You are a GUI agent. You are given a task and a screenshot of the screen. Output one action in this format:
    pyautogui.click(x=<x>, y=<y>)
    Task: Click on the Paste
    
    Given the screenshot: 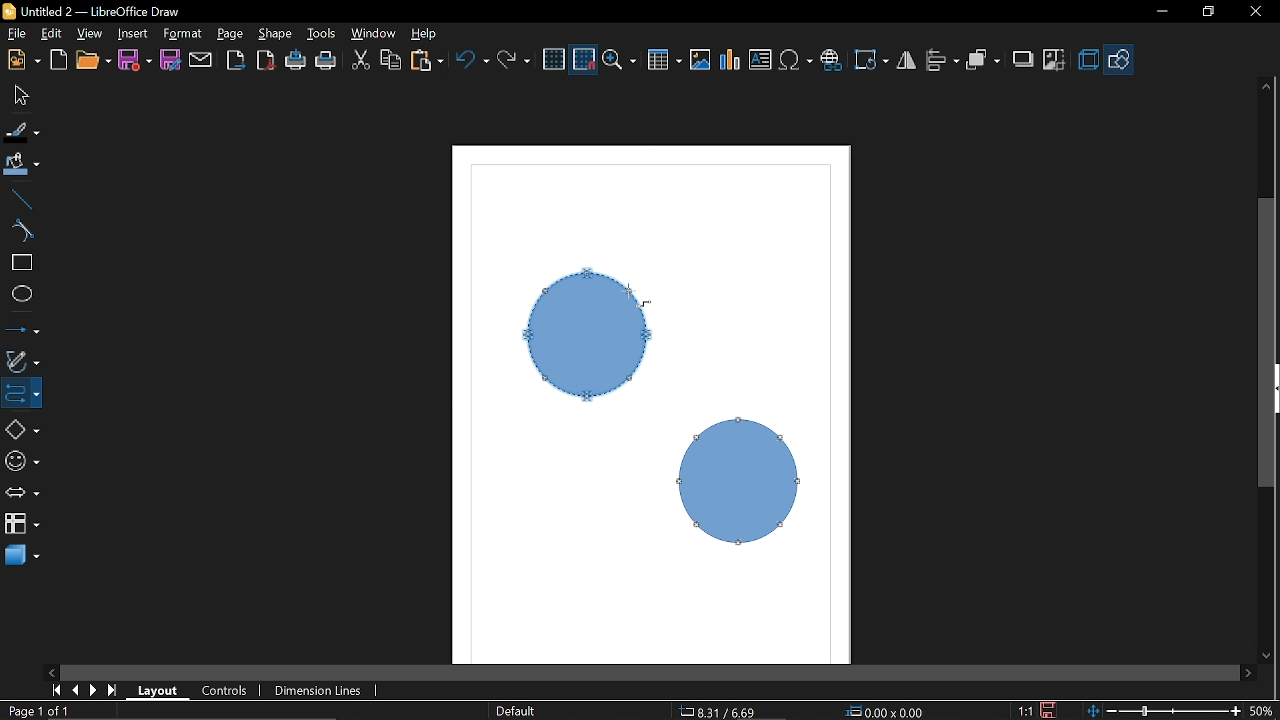 What is the action you would take?
    pyautogui.click(x=427, y=59)
    